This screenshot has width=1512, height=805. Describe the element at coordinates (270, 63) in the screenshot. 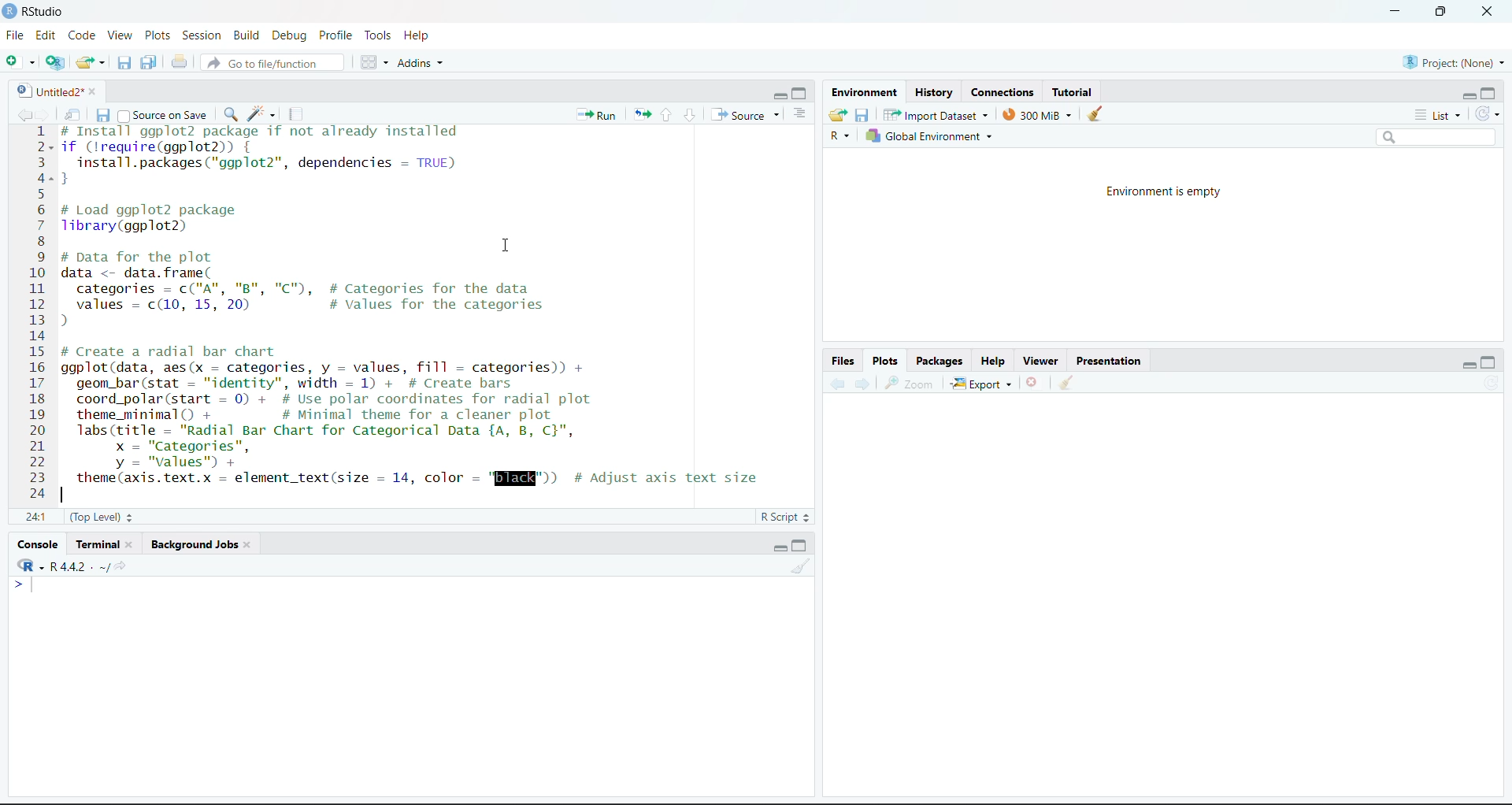

I see `Go to file/function` at that location.